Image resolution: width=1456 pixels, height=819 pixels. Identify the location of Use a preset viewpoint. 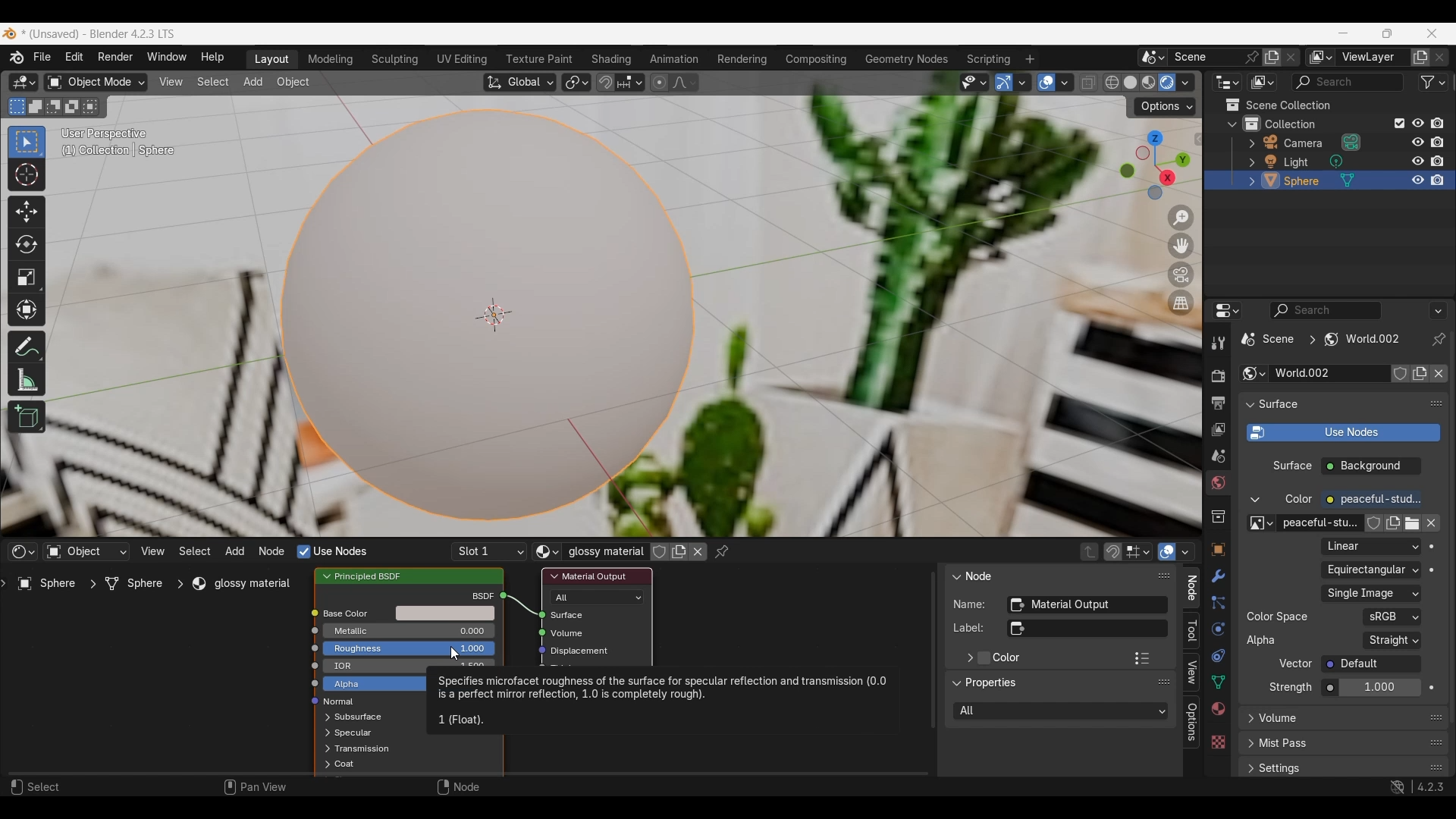
(1154, 165).